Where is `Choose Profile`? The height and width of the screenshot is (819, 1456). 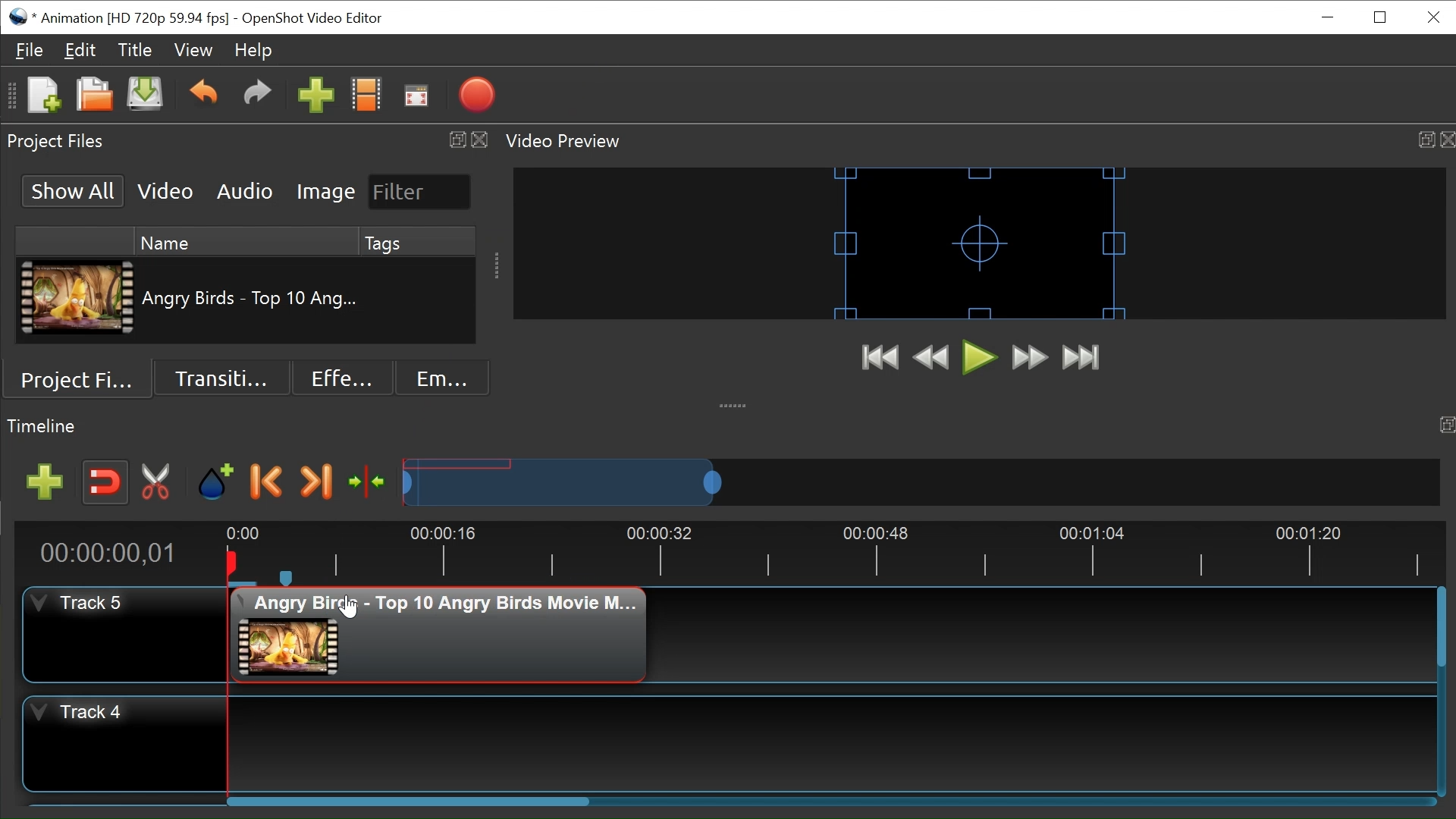 Choose Profile is located at coordinates (366, 98).